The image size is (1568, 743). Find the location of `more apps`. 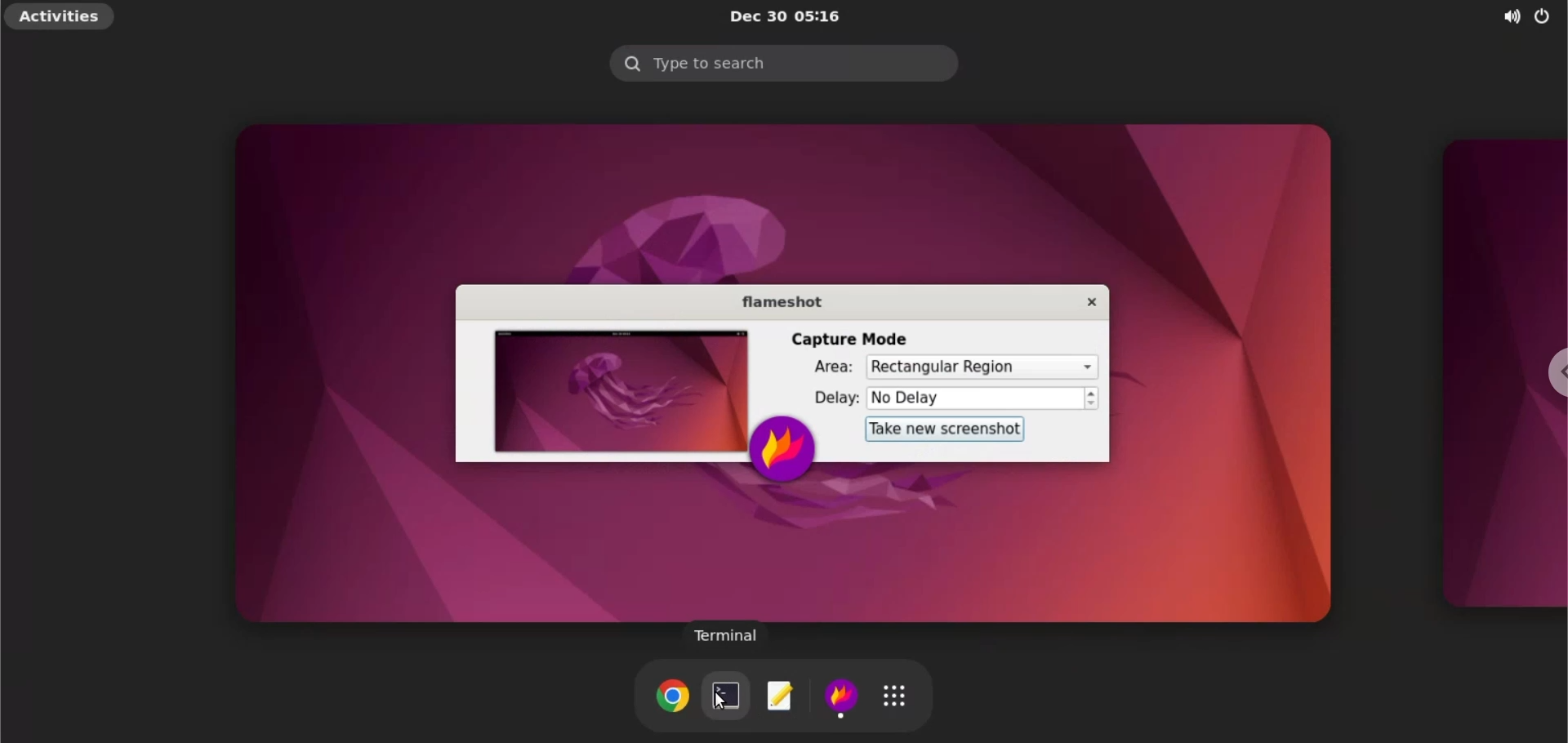

more apps is located at coordinates (899, 695).